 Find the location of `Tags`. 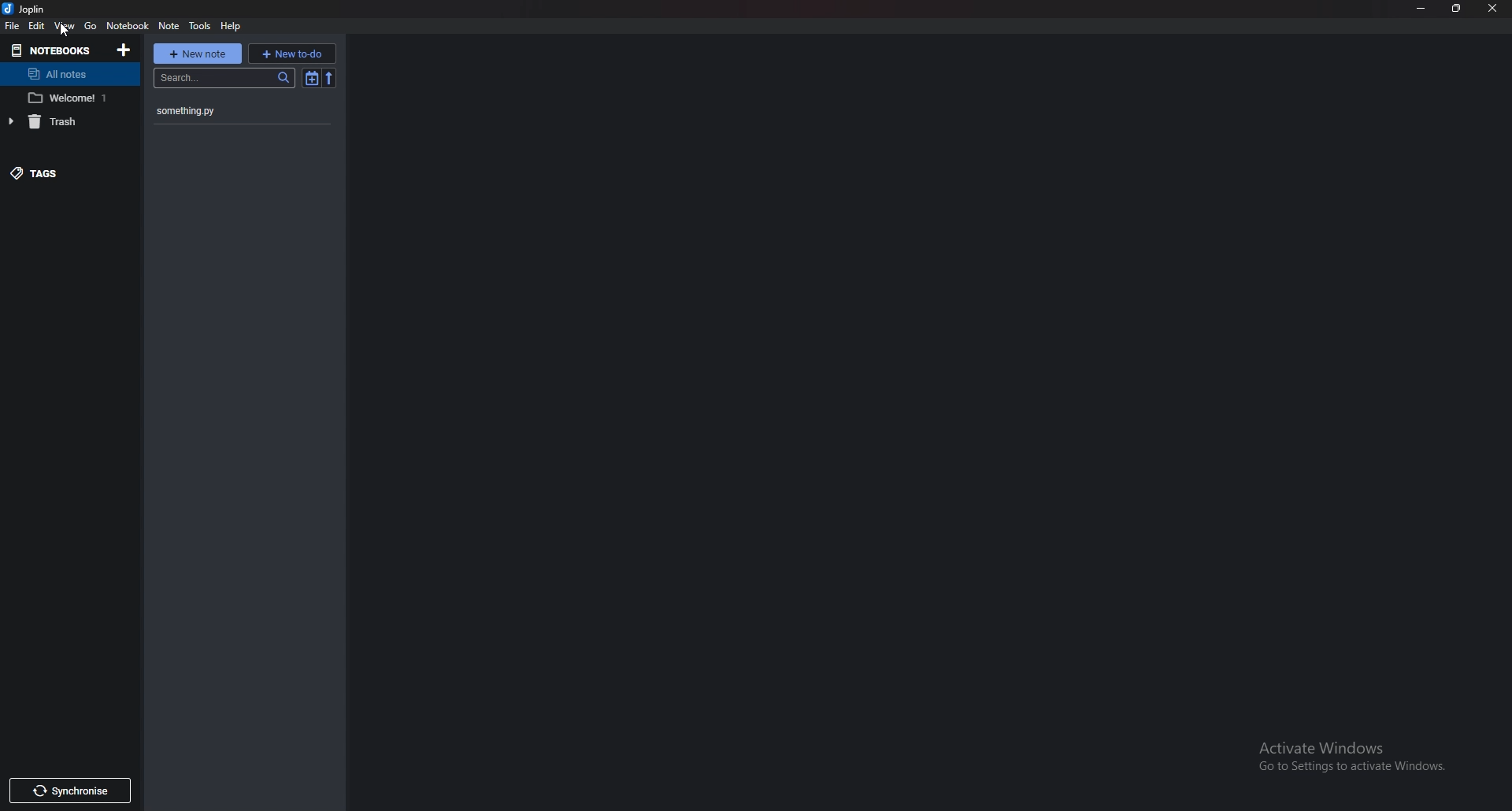

Tags is located at coordinates (69, 172).